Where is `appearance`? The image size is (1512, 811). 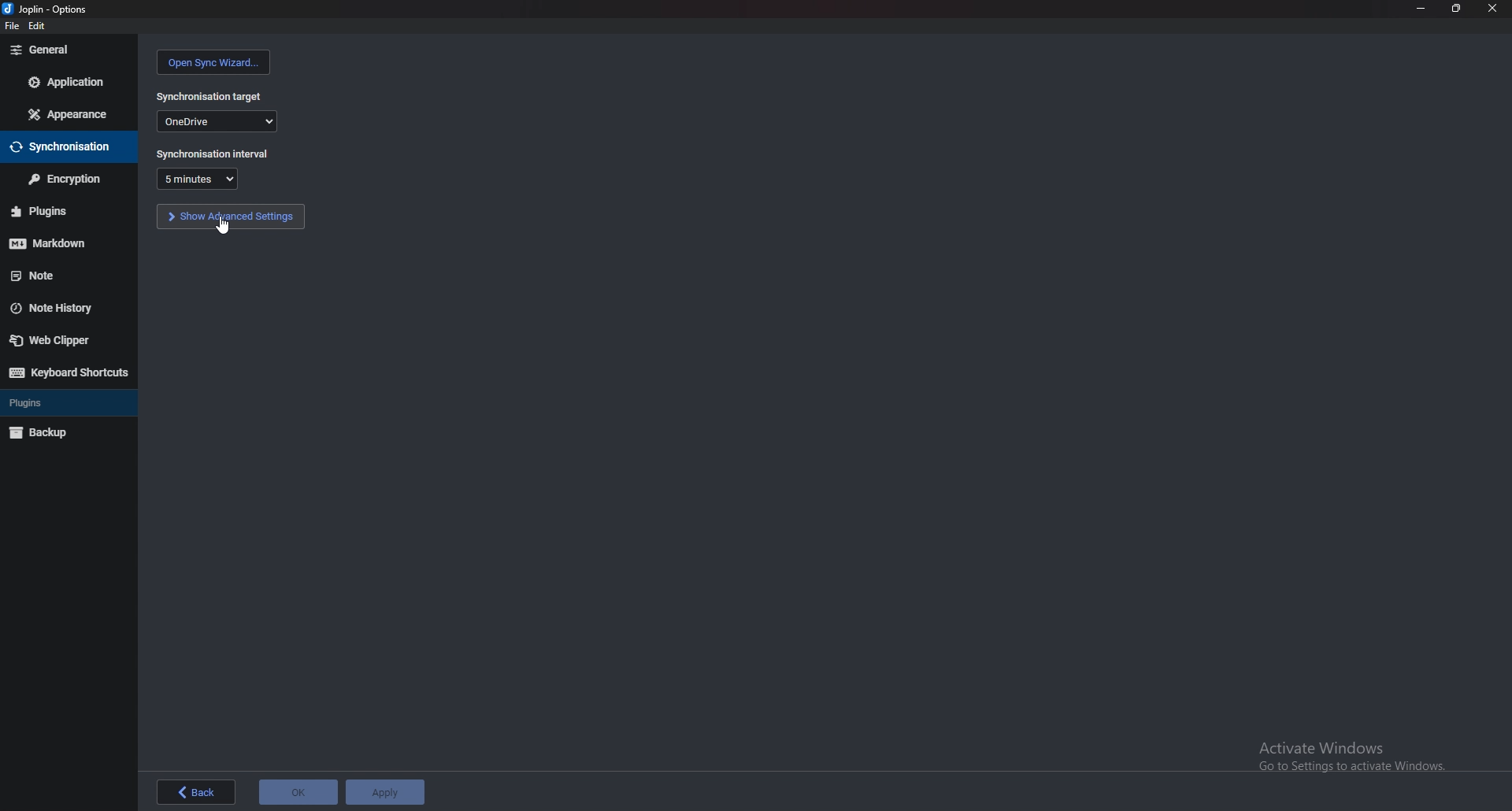
appearance is located at coordinates (70, 113).